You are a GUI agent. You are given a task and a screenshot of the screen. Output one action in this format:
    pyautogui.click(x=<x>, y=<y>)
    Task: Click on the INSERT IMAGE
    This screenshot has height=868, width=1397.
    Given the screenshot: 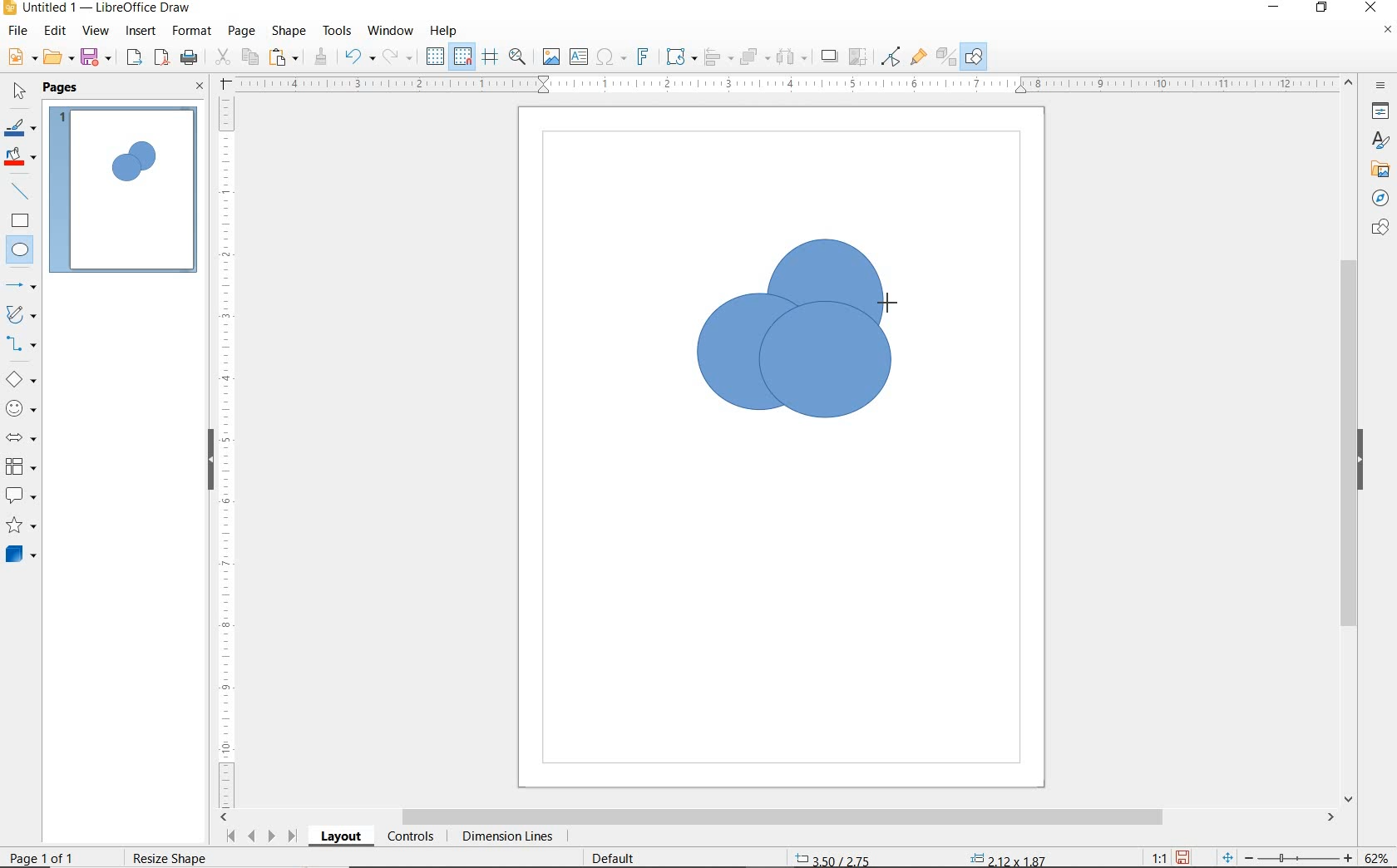 What is the action you would take?
    pyautogui.click(x=551, y=57)
    